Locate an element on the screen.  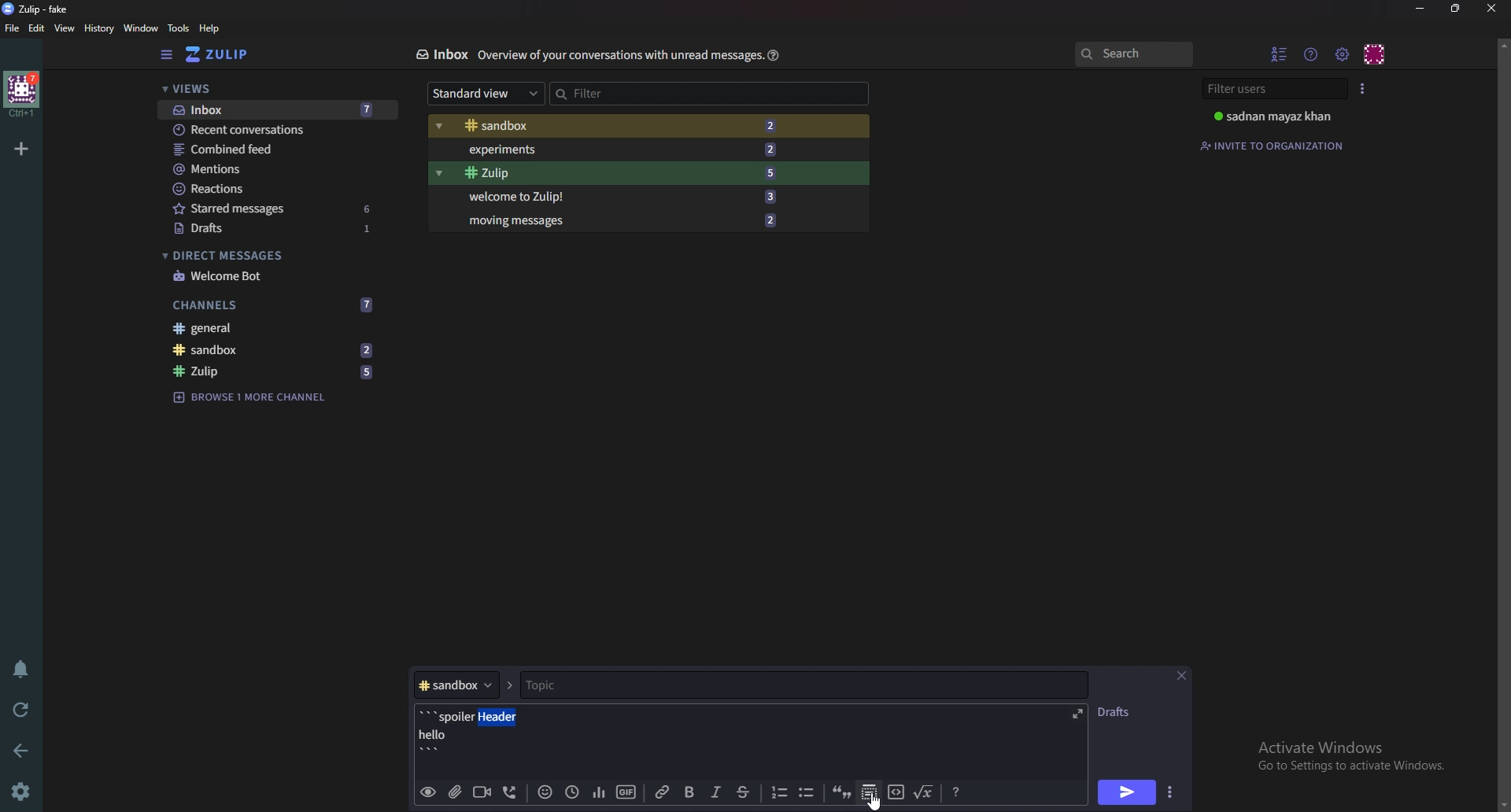
# sandbox is located at coordinates (464, 685).